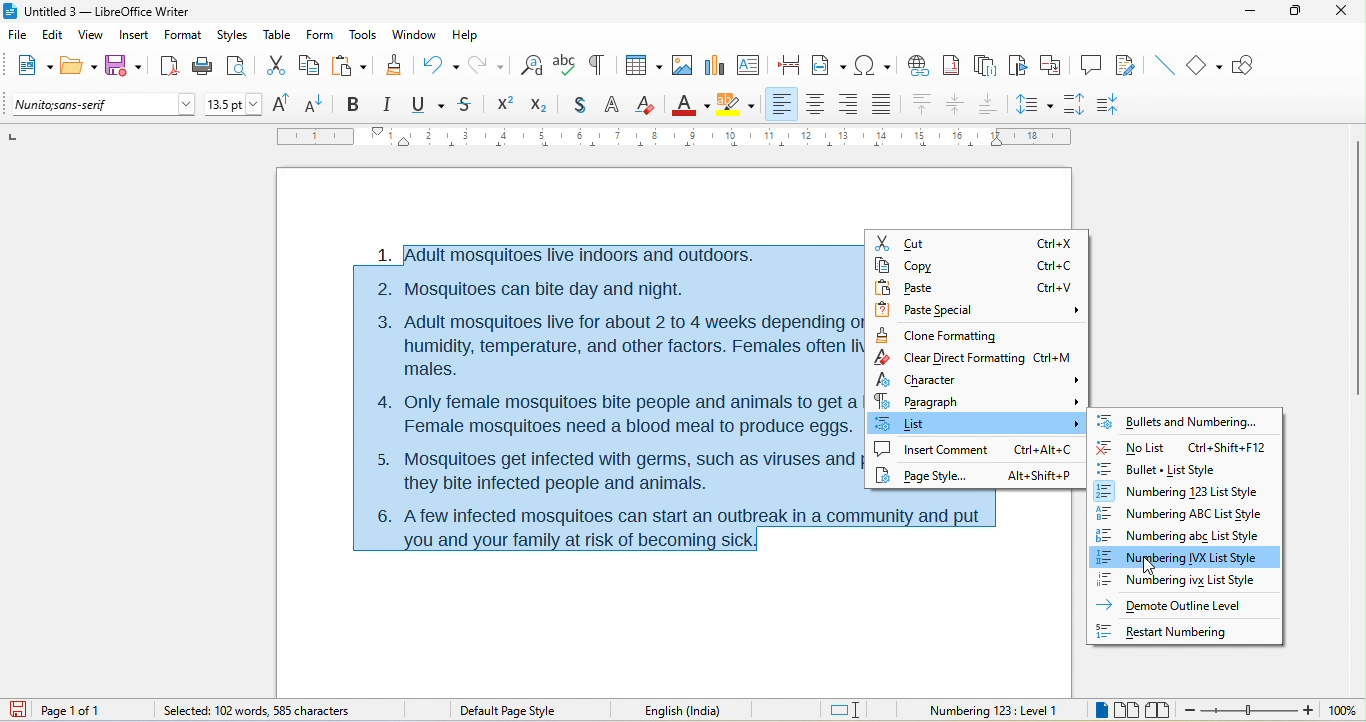  Describe the element at coordinates (532, 63) in the screenshot. I see `find and replace` at that location.